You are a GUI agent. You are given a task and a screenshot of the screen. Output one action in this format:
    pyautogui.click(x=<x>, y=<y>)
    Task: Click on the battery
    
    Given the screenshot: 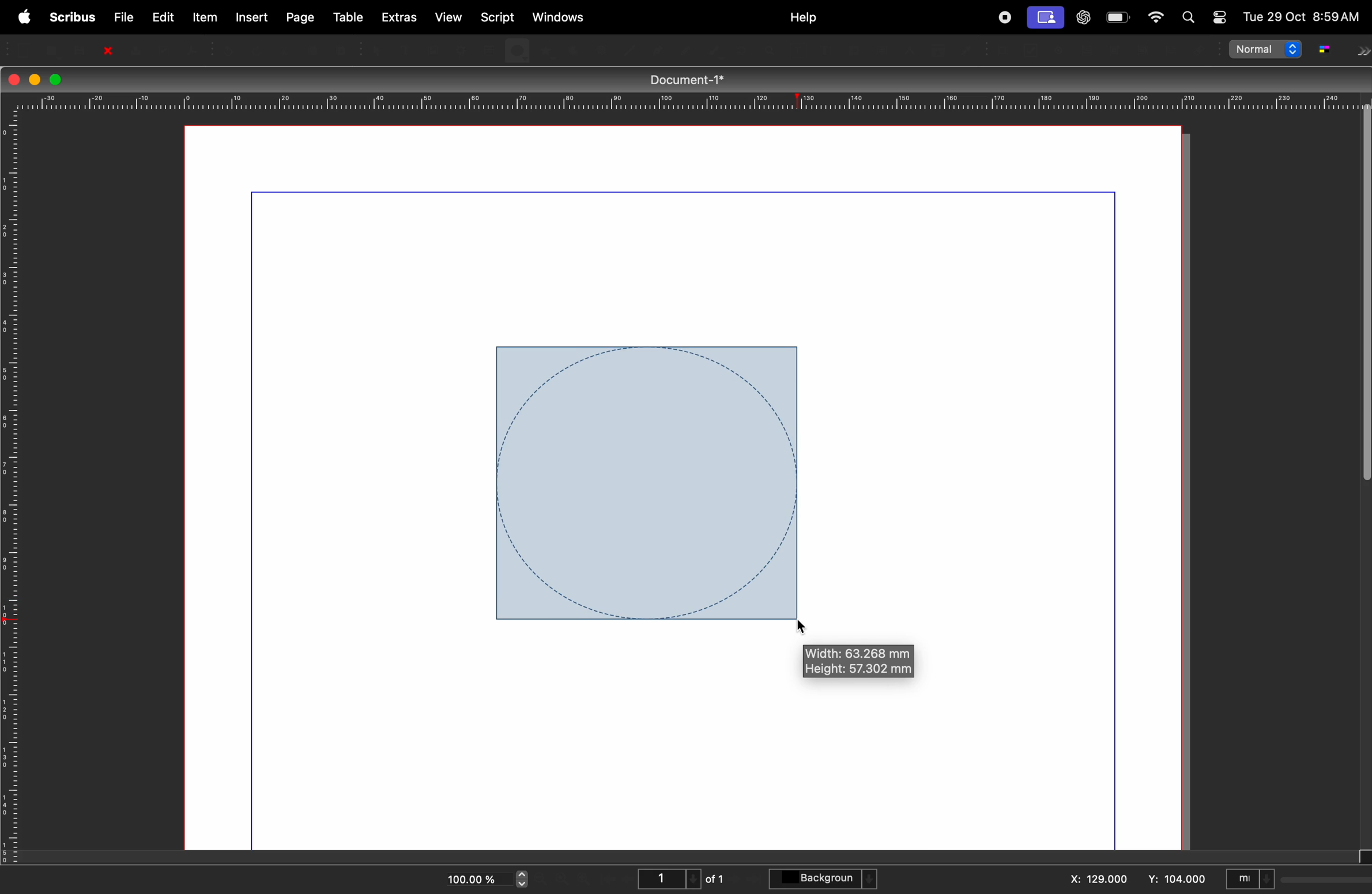 What is the action you would take?
    pyautogui.click(x=1118, y=18)
    